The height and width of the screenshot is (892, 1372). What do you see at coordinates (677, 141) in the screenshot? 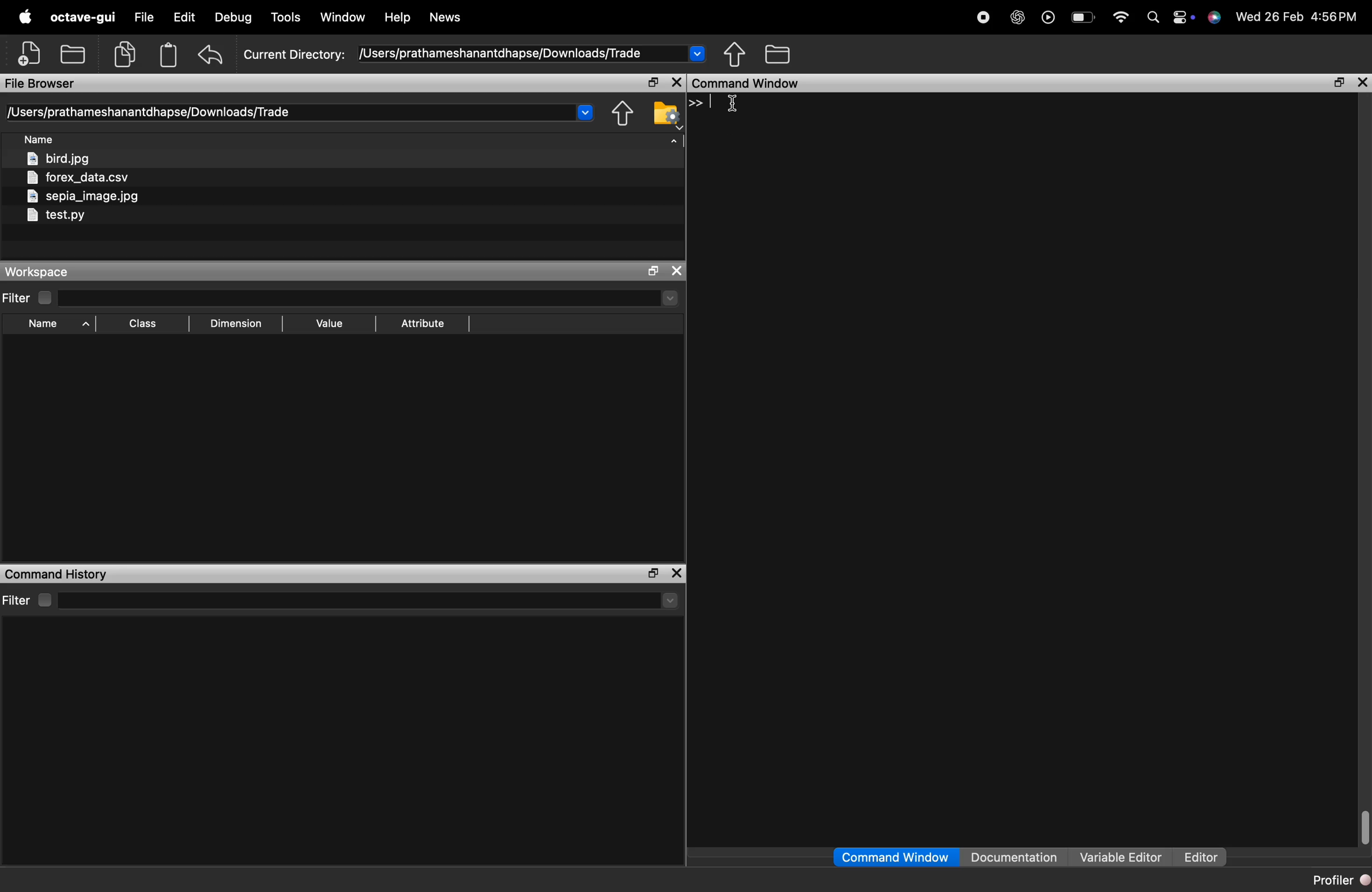
I see `arrow` at bounding box center [677, 141].